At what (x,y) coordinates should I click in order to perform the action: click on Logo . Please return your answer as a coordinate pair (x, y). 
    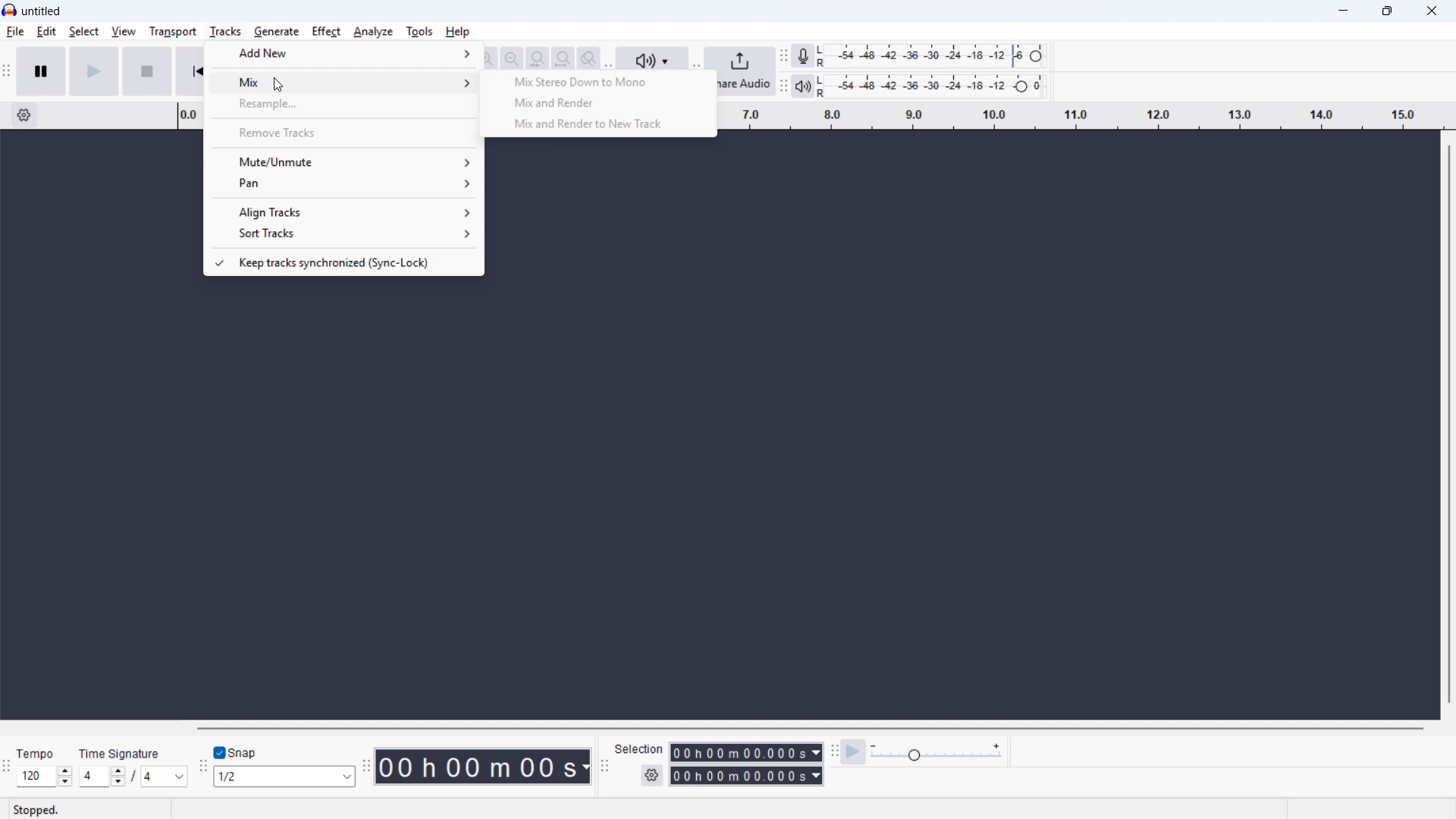
    Looking at the image, I should click on (10, 11).